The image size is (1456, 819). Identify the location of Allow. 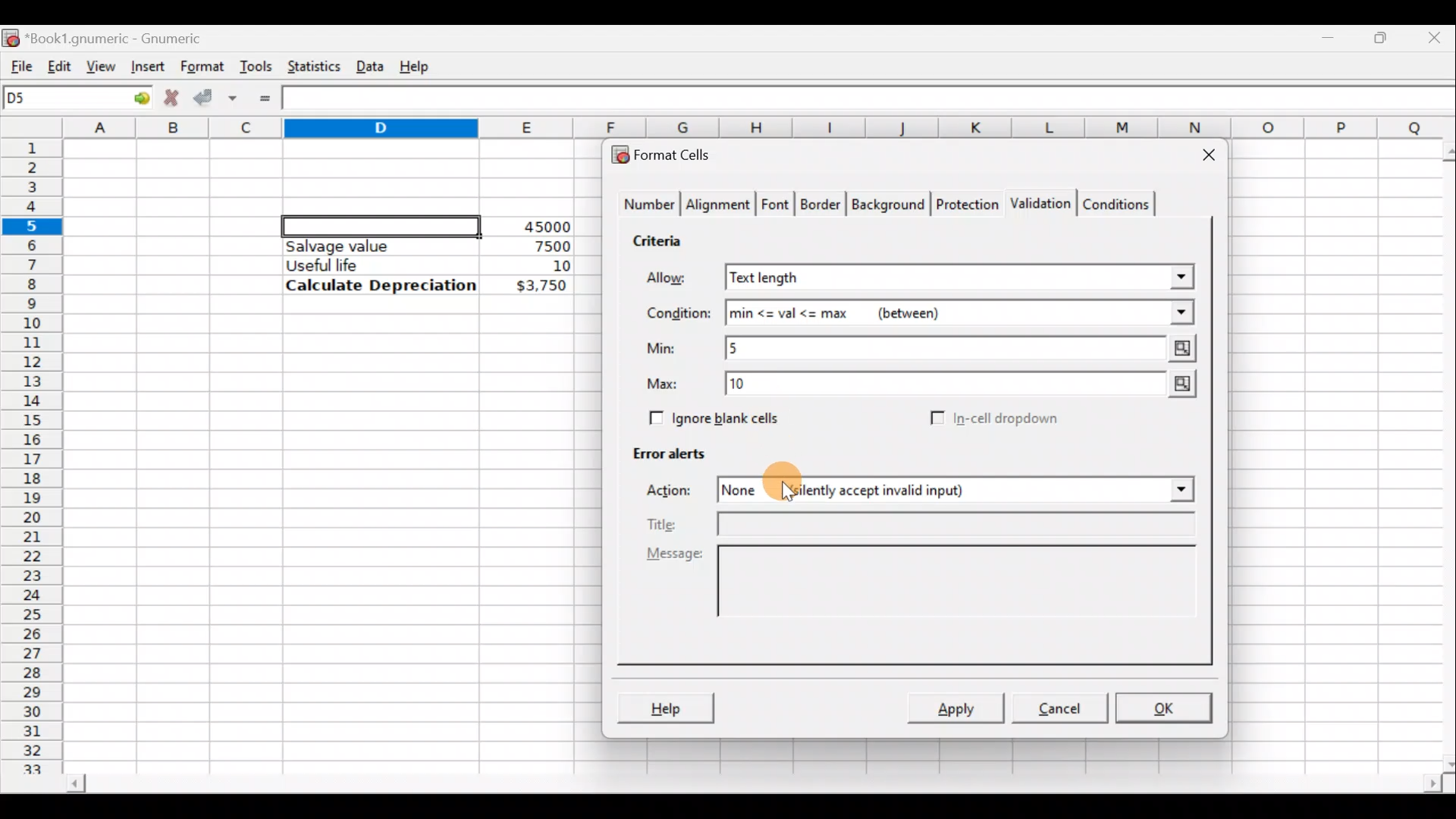
(677, 280).